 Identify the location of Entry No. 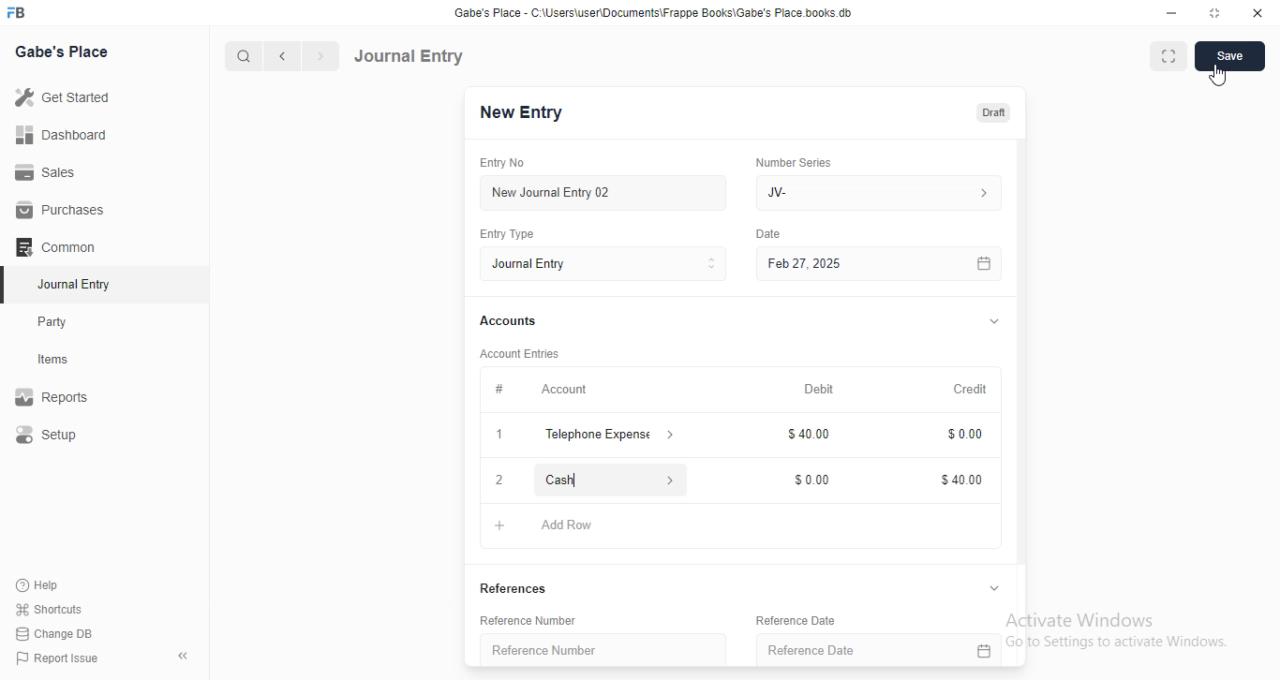
(500, 161).